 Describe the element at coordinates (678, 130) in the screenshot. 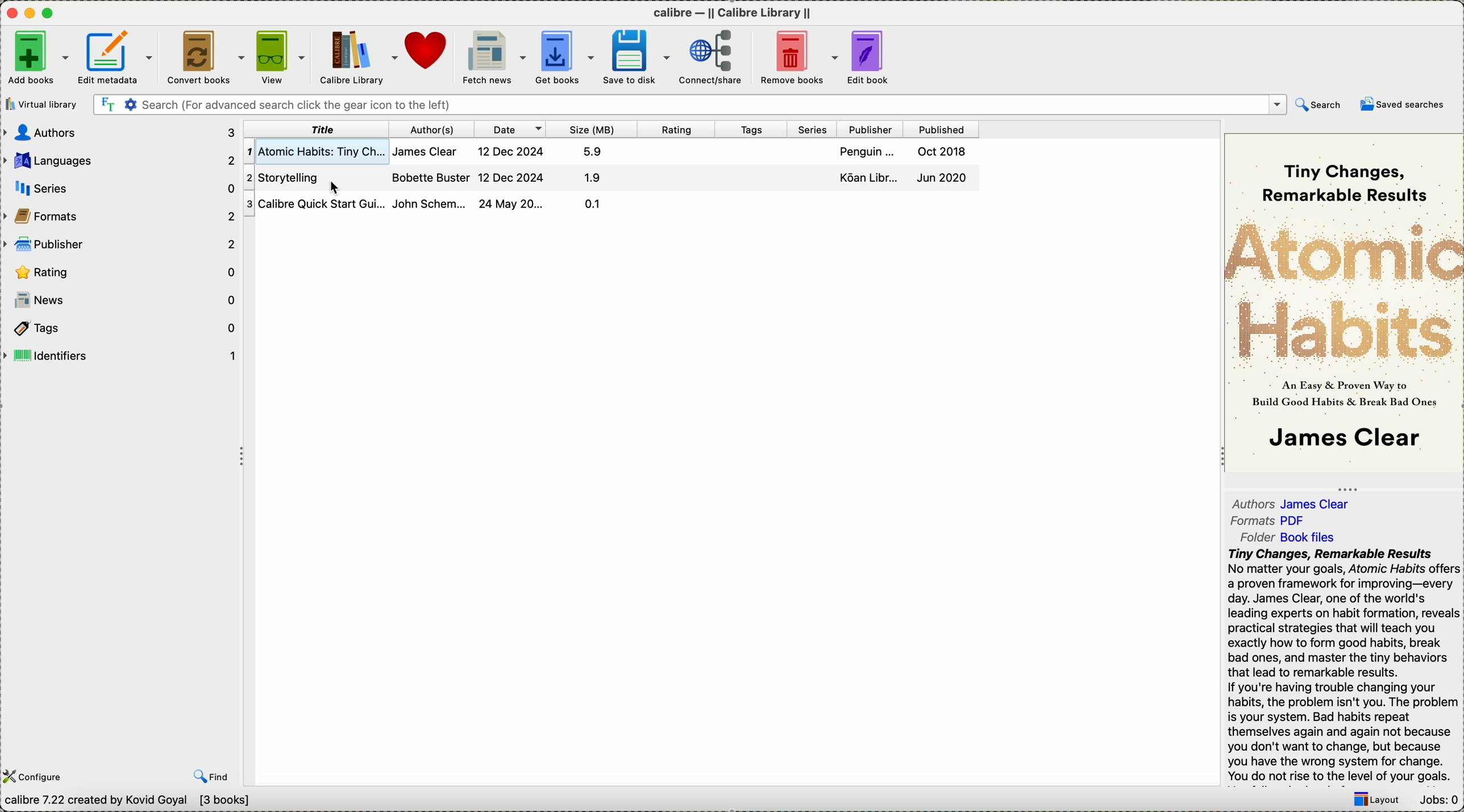

I see `rating` at that location.